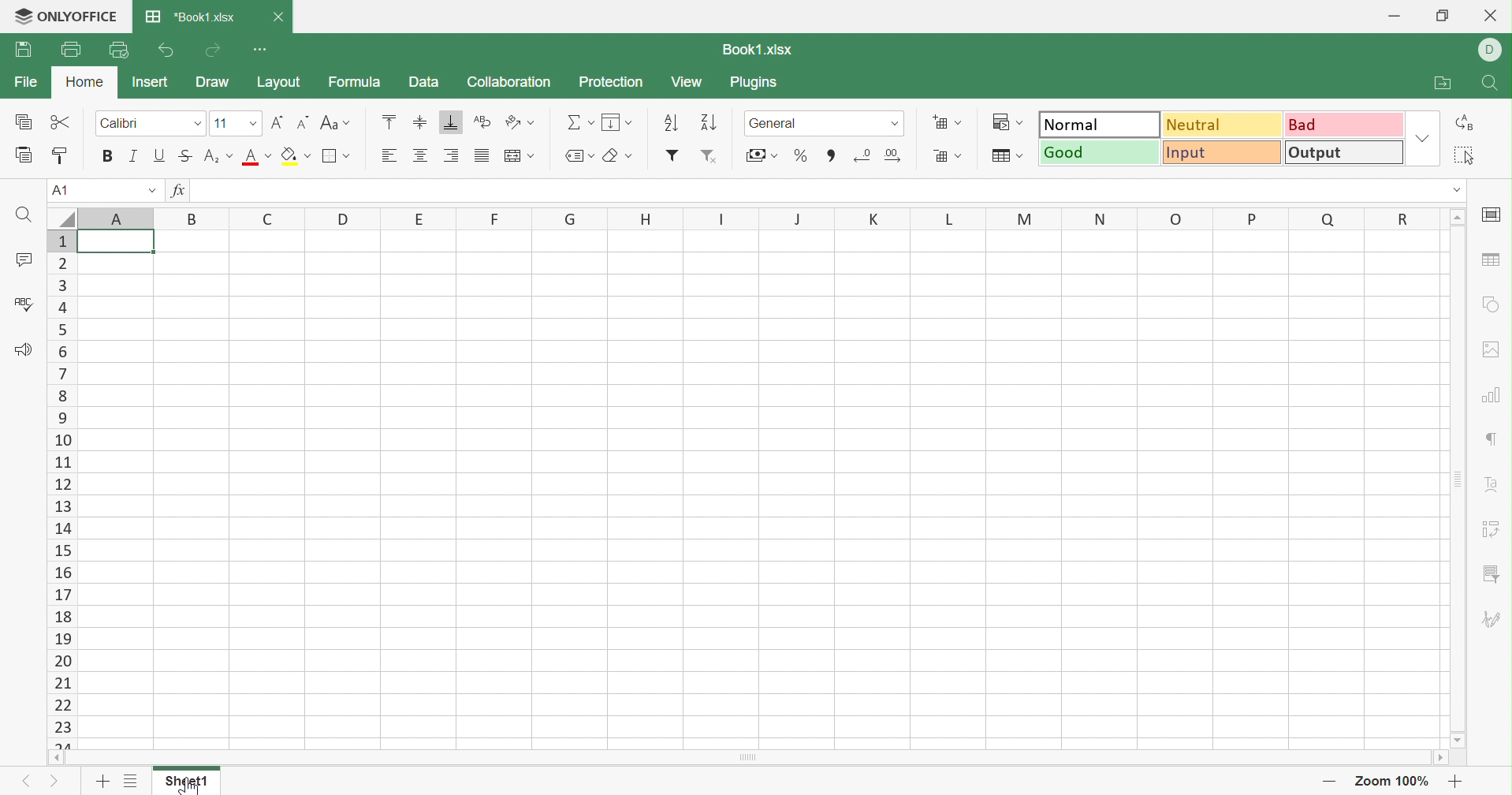 The height and width of the screenshot is (795, 1512). I want to click on Minimize, so click(1394, 15).